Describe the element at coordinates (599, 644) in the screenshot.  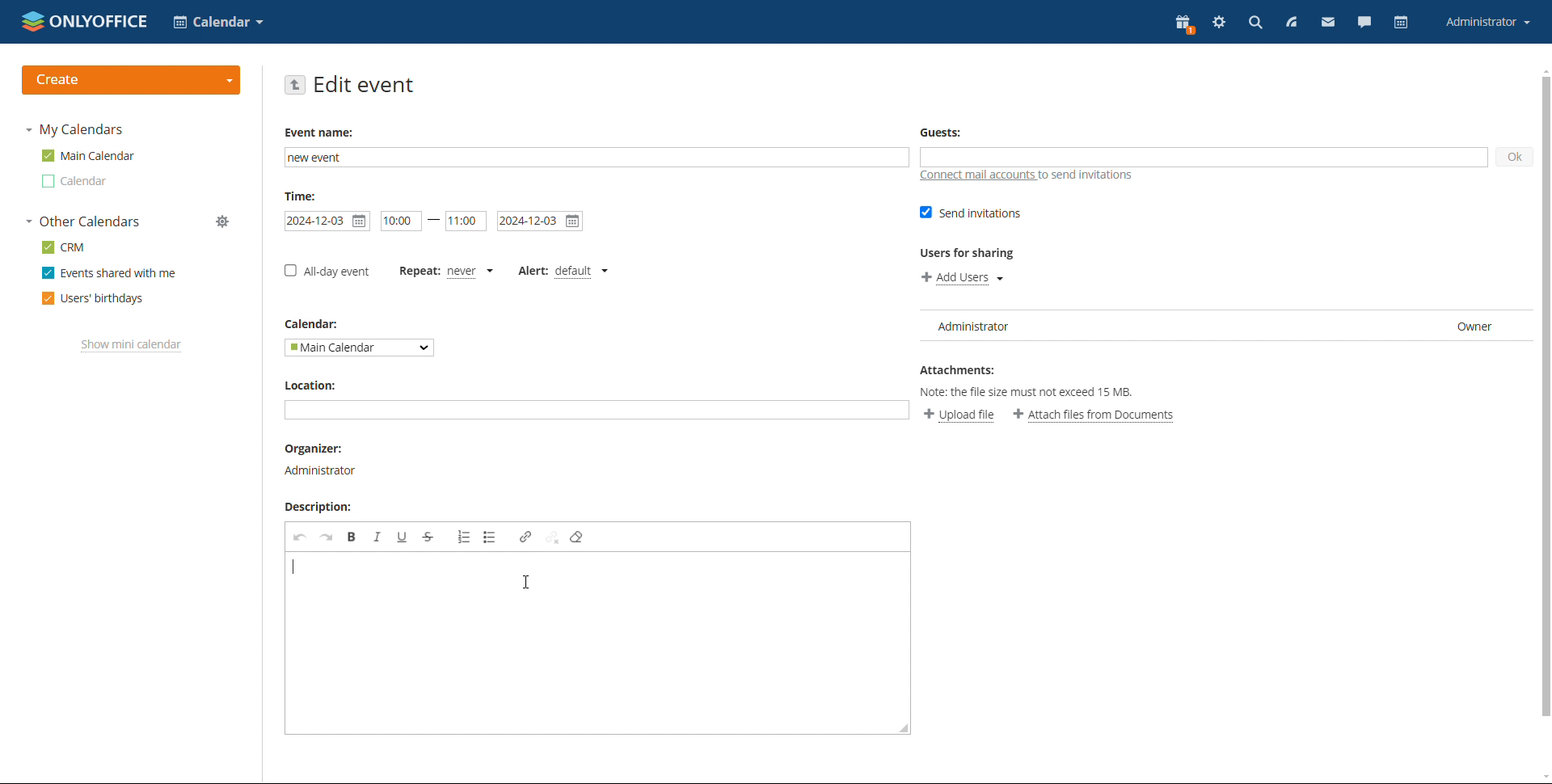
I see `add description` at that location.